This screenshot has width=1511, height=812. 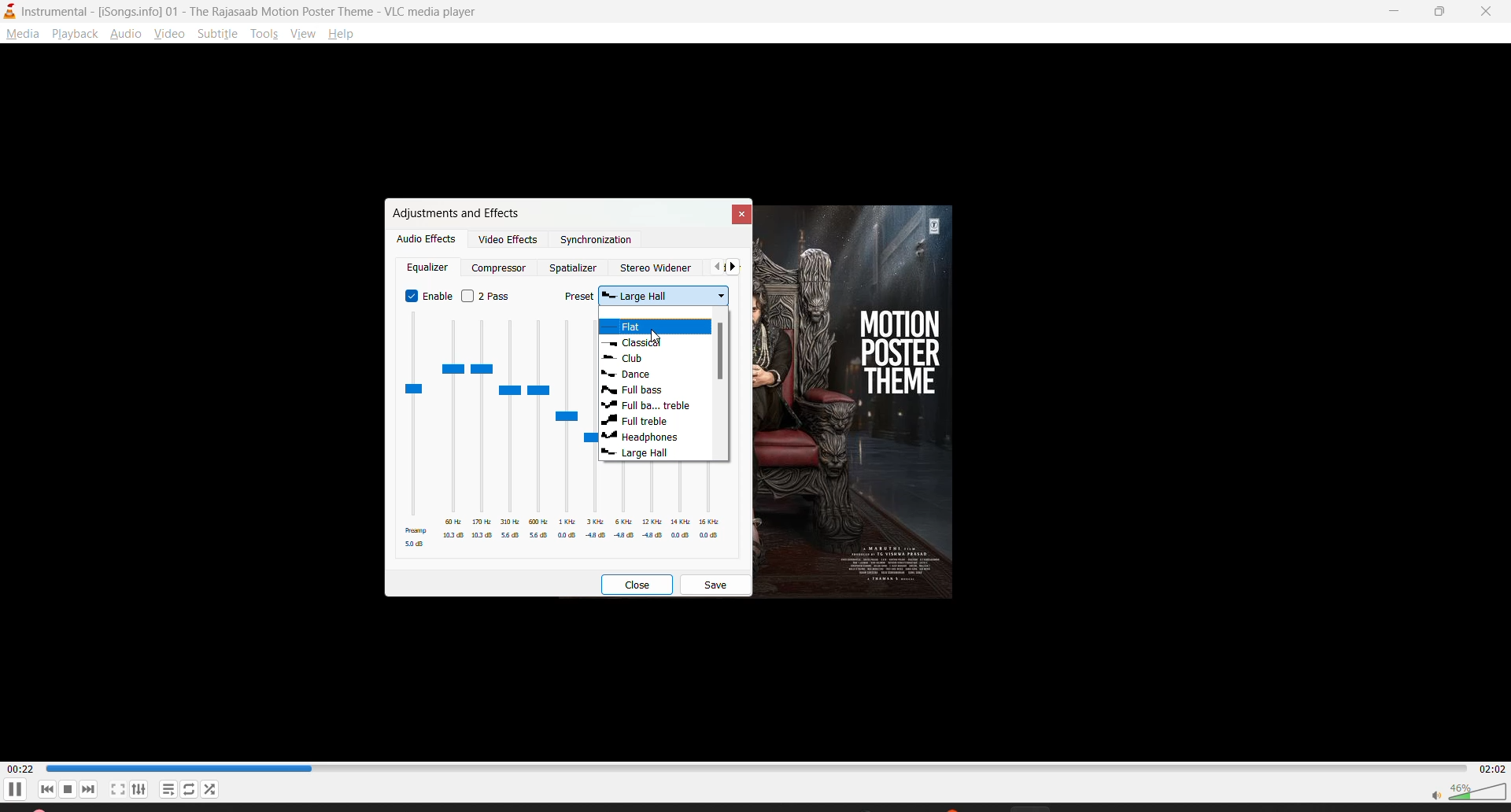 I want to click on compressor, so click(x=498, y=268).